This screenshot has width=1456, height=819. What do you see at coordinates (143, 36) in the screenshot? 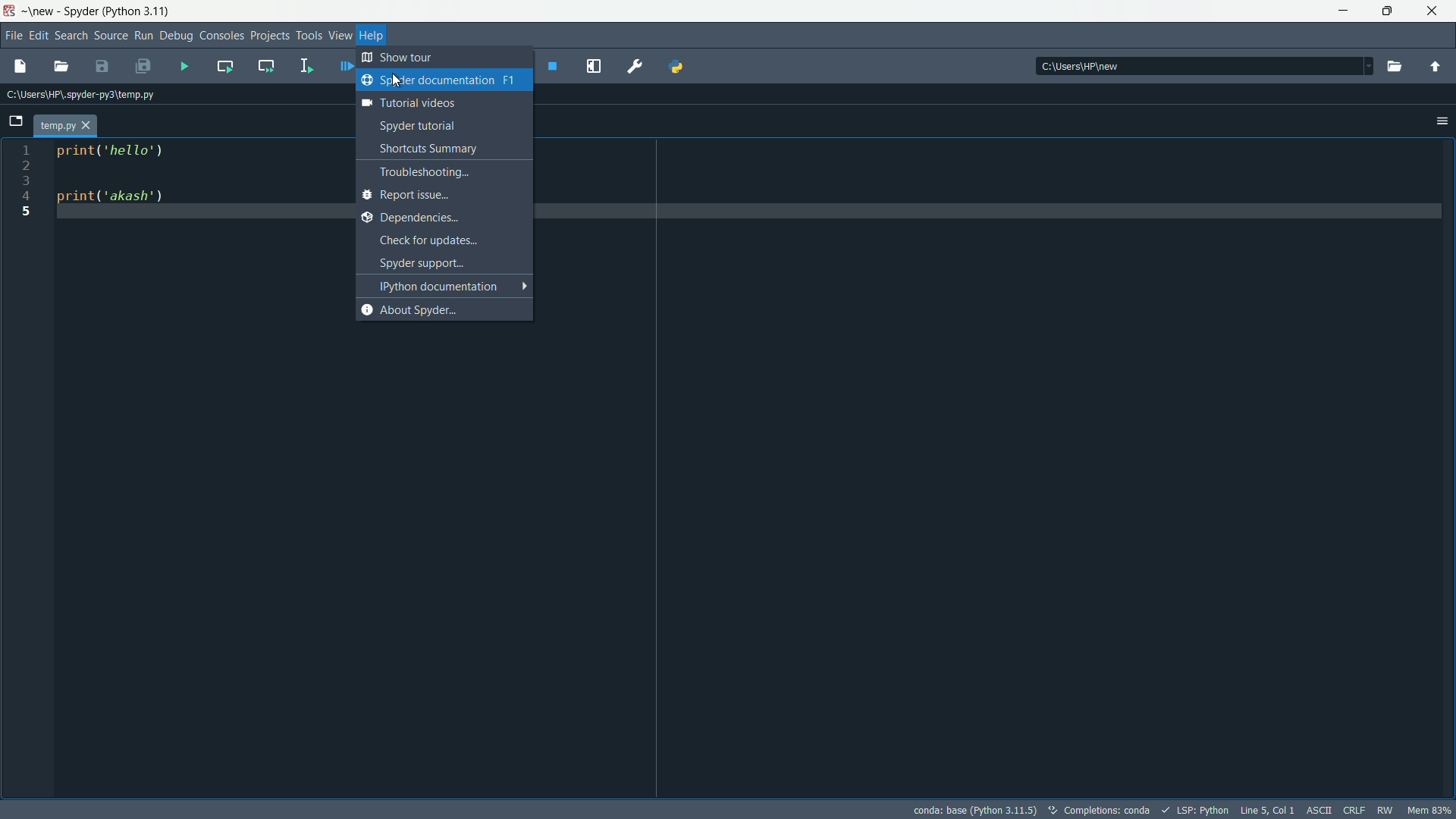
I see `run menu` at bounding box center [143, 36].